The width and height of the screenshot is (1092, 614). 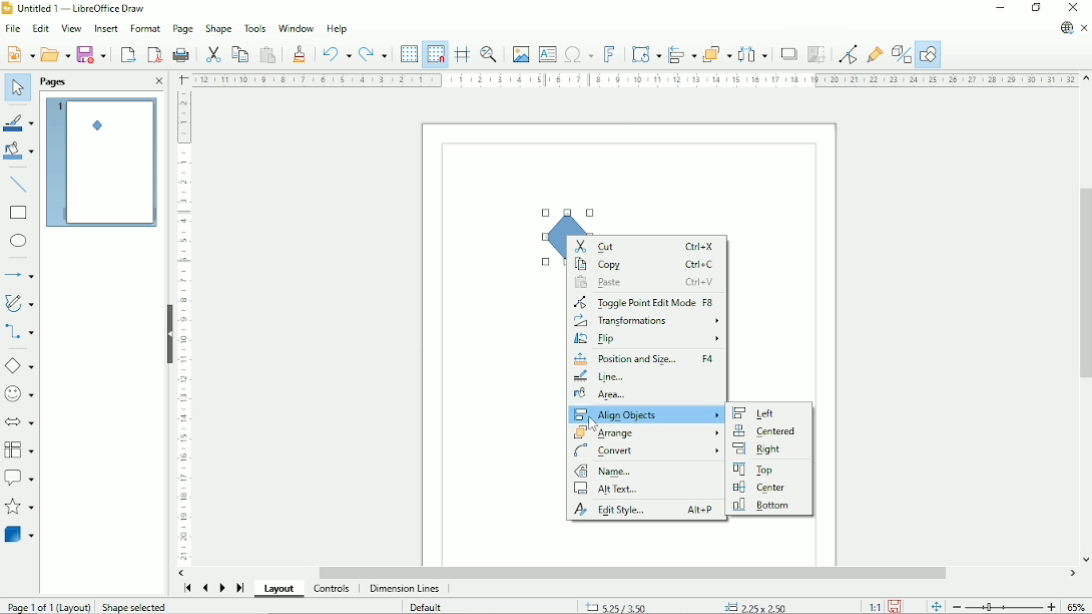 I want to click on Insert line, so click(x=21, y=185).